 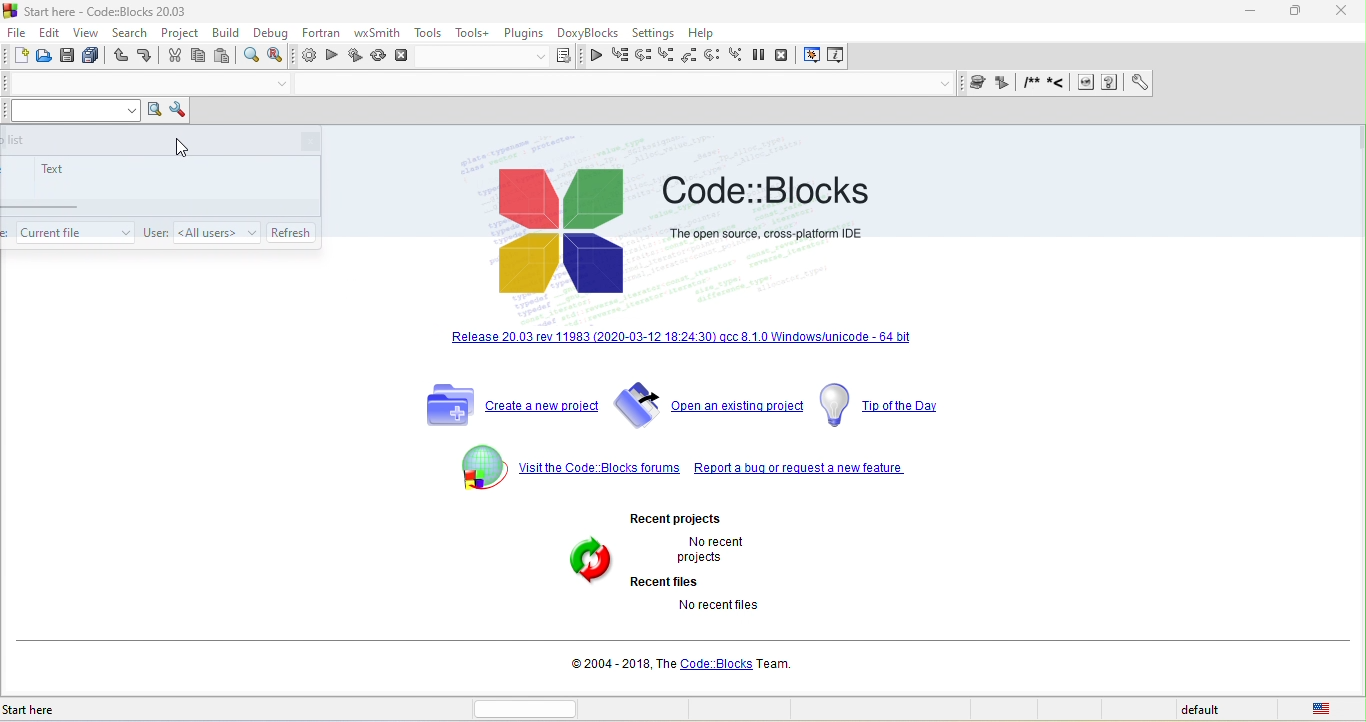 What do you see at coordinates (700, 515) in the screenshot?
I see `recent projects ` at bounding box center [700, 515].